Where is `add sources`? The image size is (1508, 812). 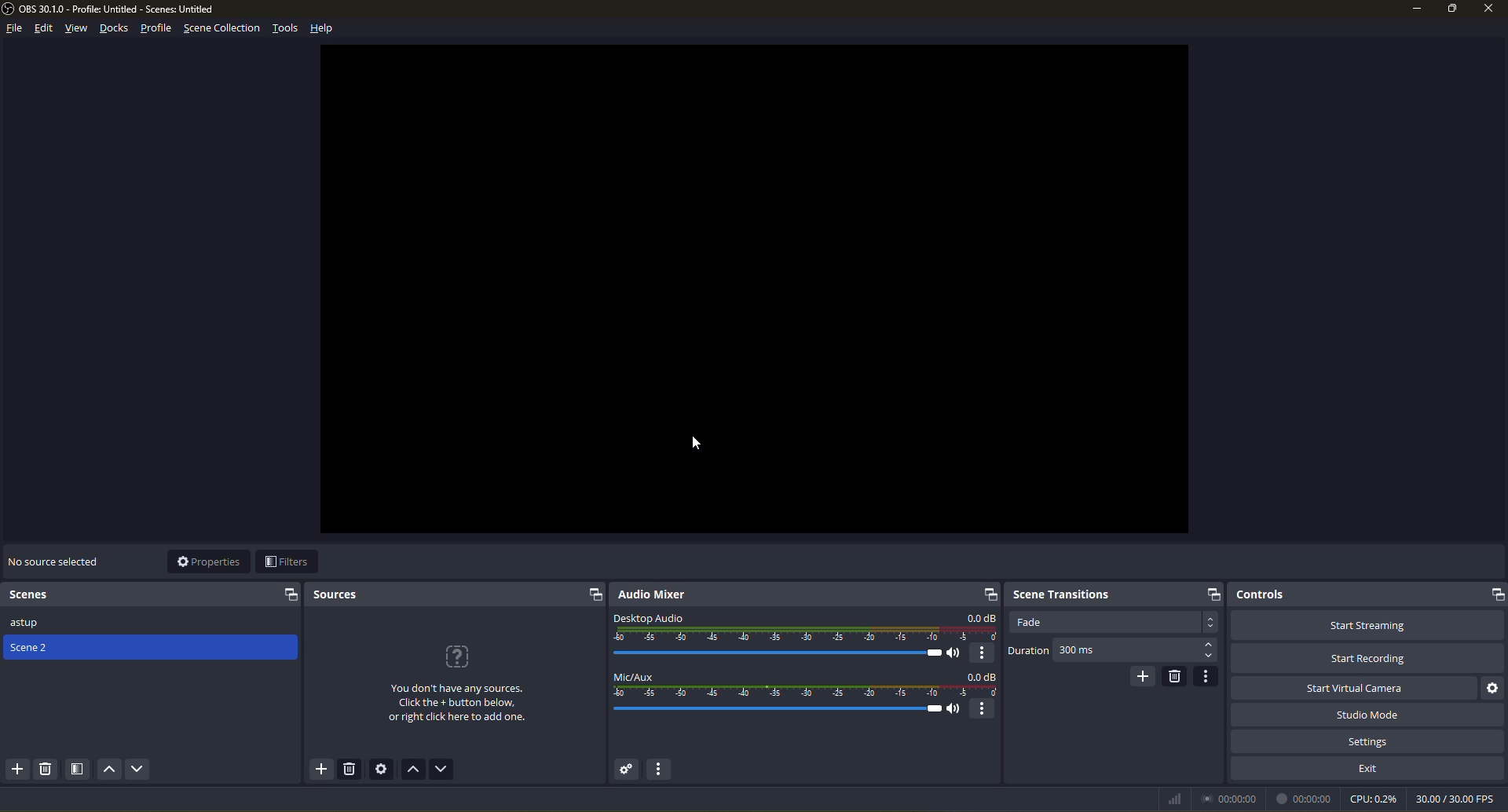
add sources is located at coordinates (321, 769).